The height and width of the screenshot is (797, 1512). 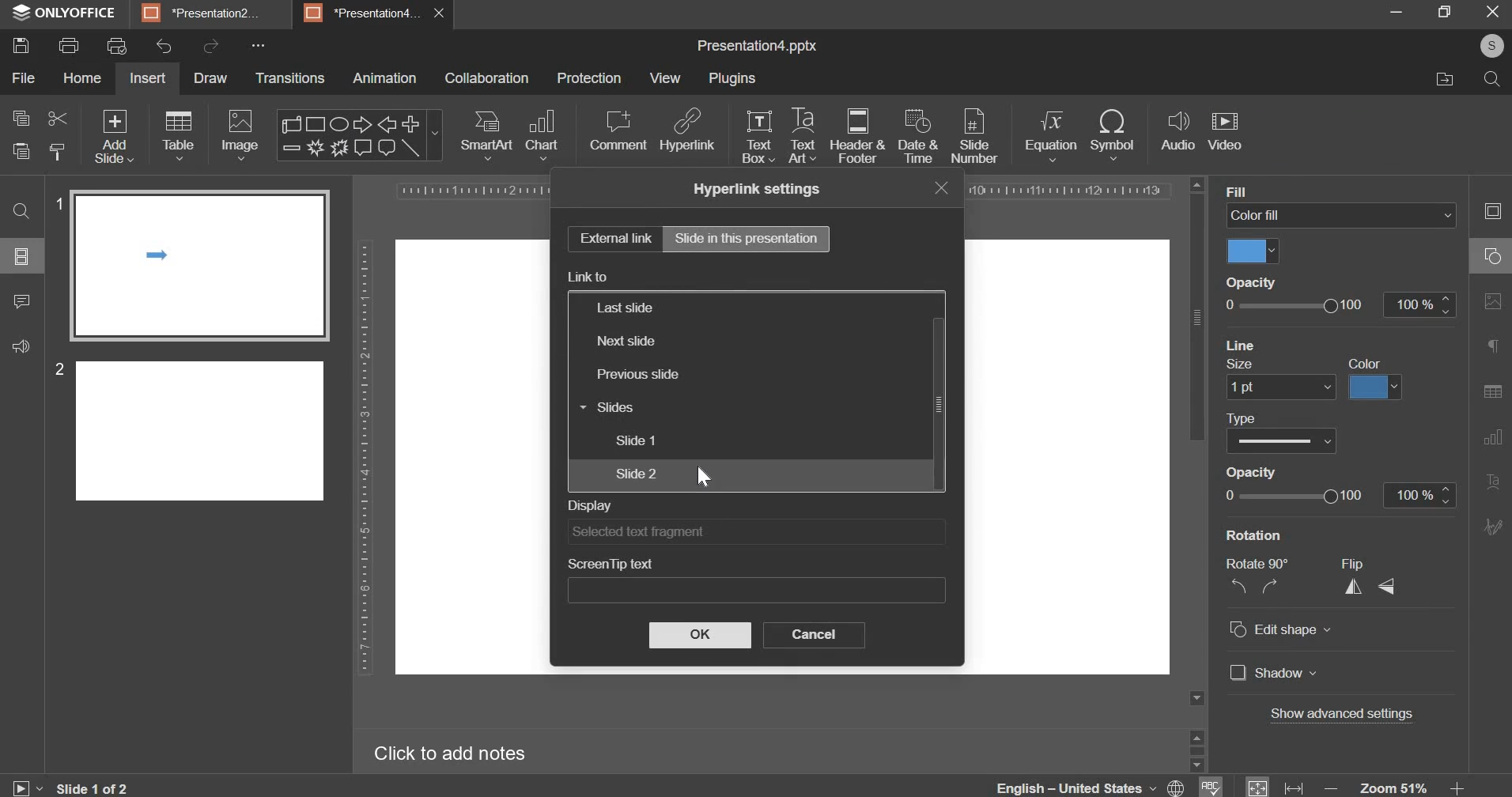 What do you see at coordinates (948, 189) in the screenshot?
I see `close` at bounding box center [948, 189].